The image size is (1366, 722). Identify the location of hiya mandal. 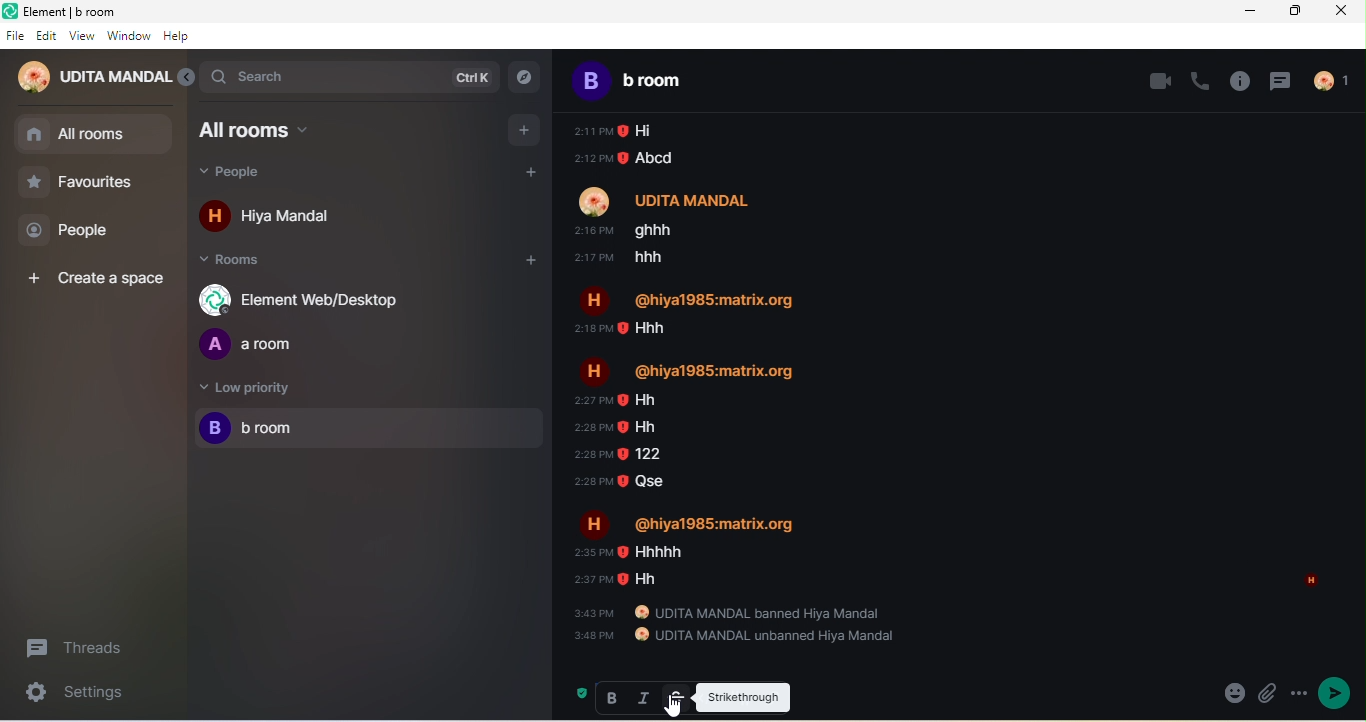
(276, 219).